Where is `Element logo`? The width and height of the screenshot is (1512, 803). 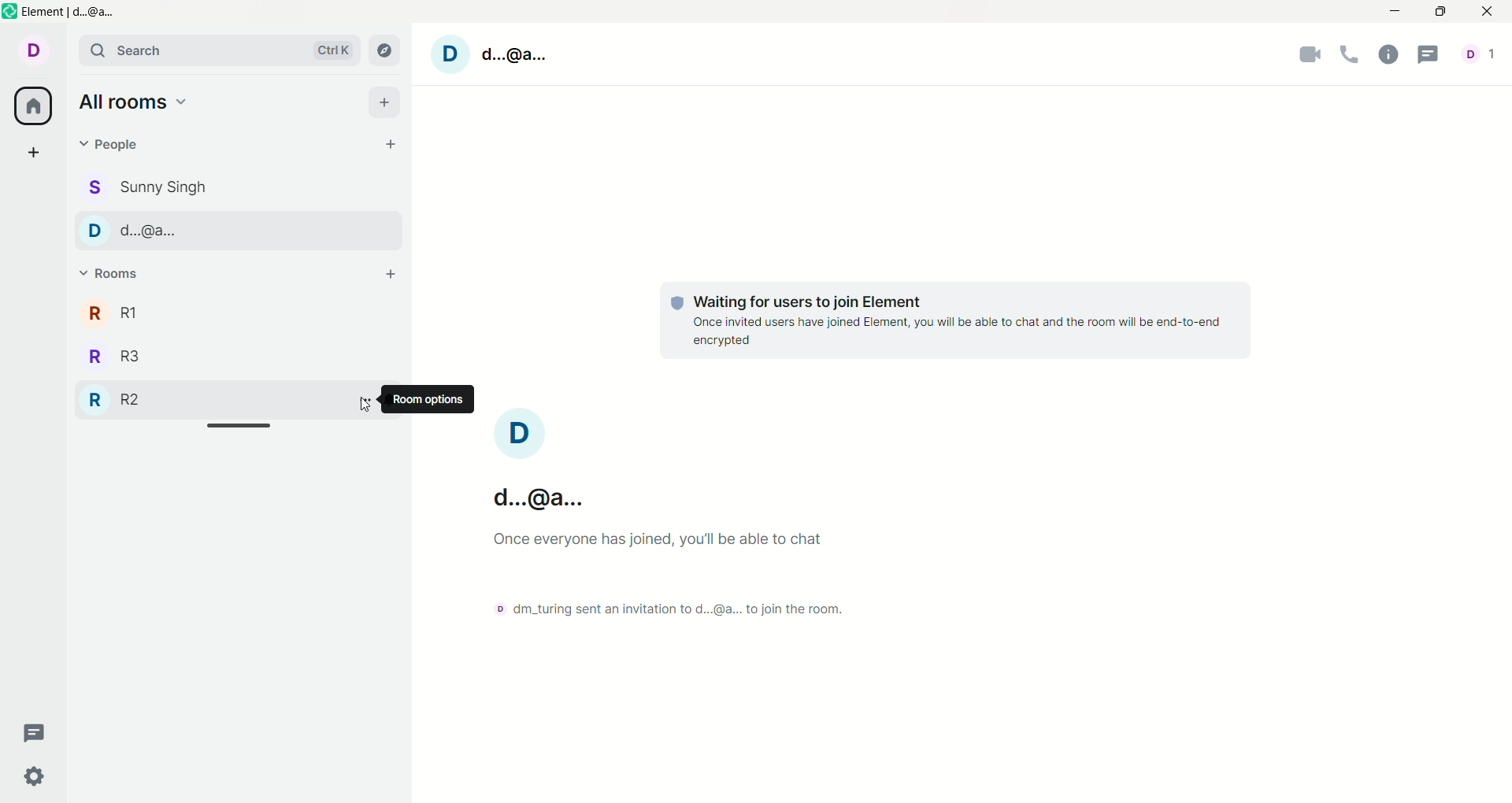
Element logo is located at coordinates (10, 11).